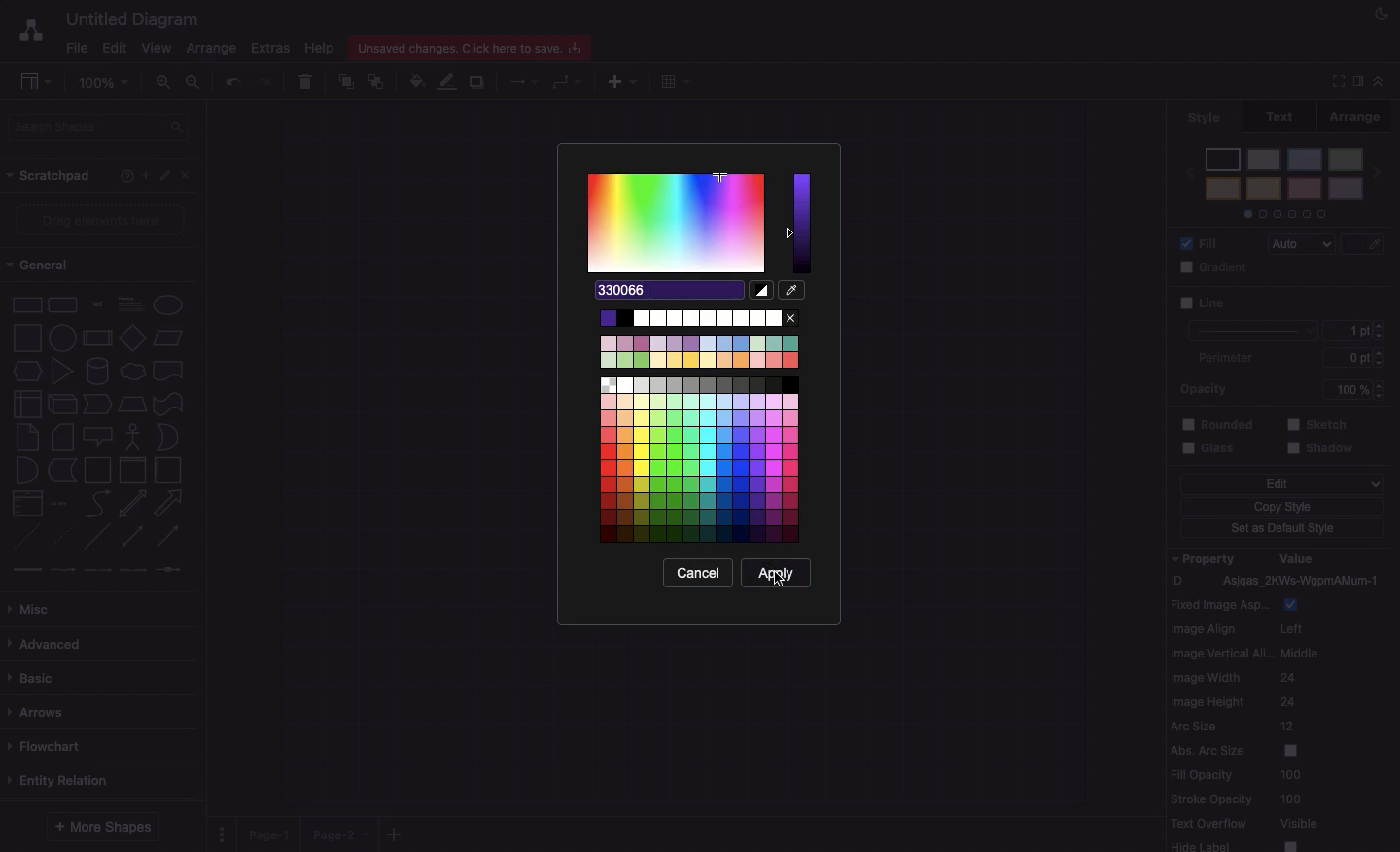 This screenshot has width=1400, height=852. I want to click on Fill, so click(1204, 242).